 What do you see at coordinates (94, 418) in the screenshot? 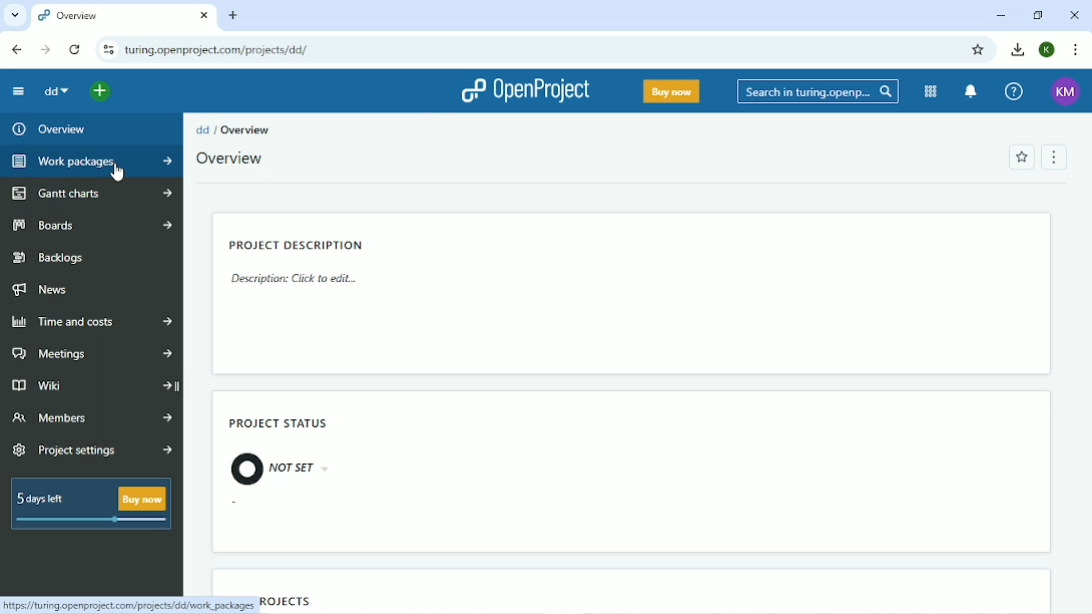
I see `Members` at bounding box center [94, 418].